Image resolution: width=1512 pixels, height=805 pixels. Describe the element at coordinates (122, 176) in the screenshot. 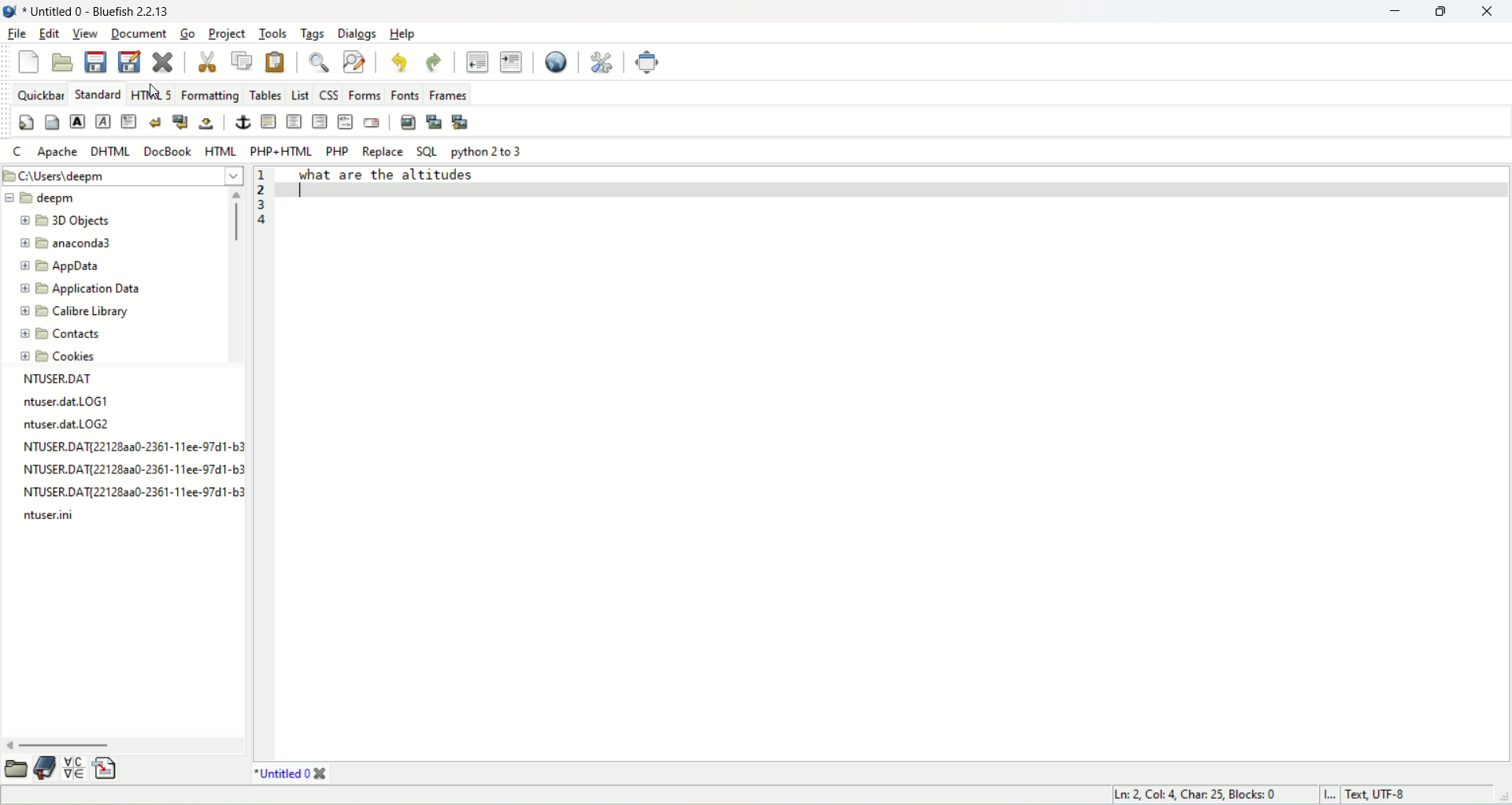

I see `location` at that location.